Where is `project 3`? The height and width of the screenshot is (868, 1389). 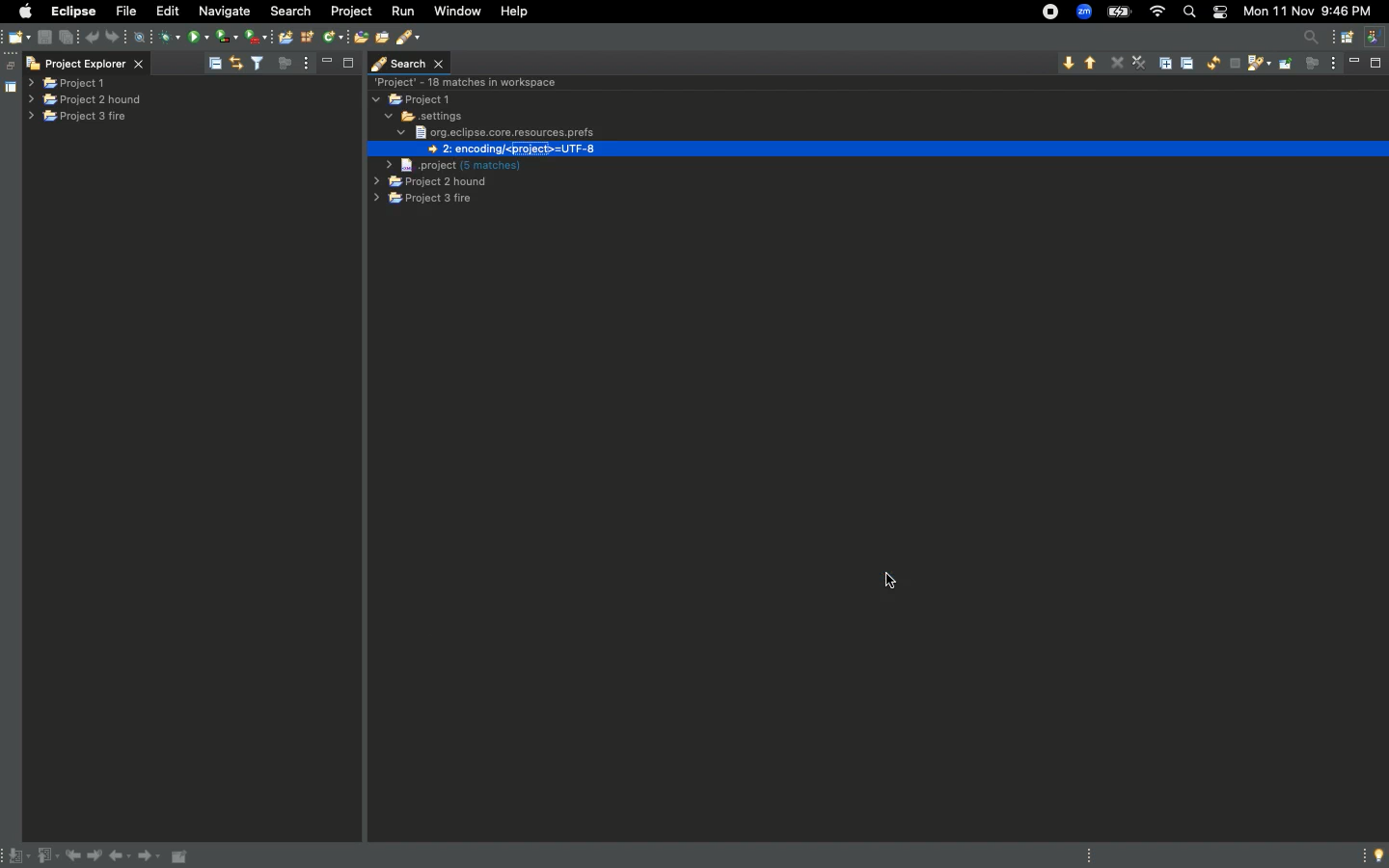
project 3 is located at coordinates (85, 118).